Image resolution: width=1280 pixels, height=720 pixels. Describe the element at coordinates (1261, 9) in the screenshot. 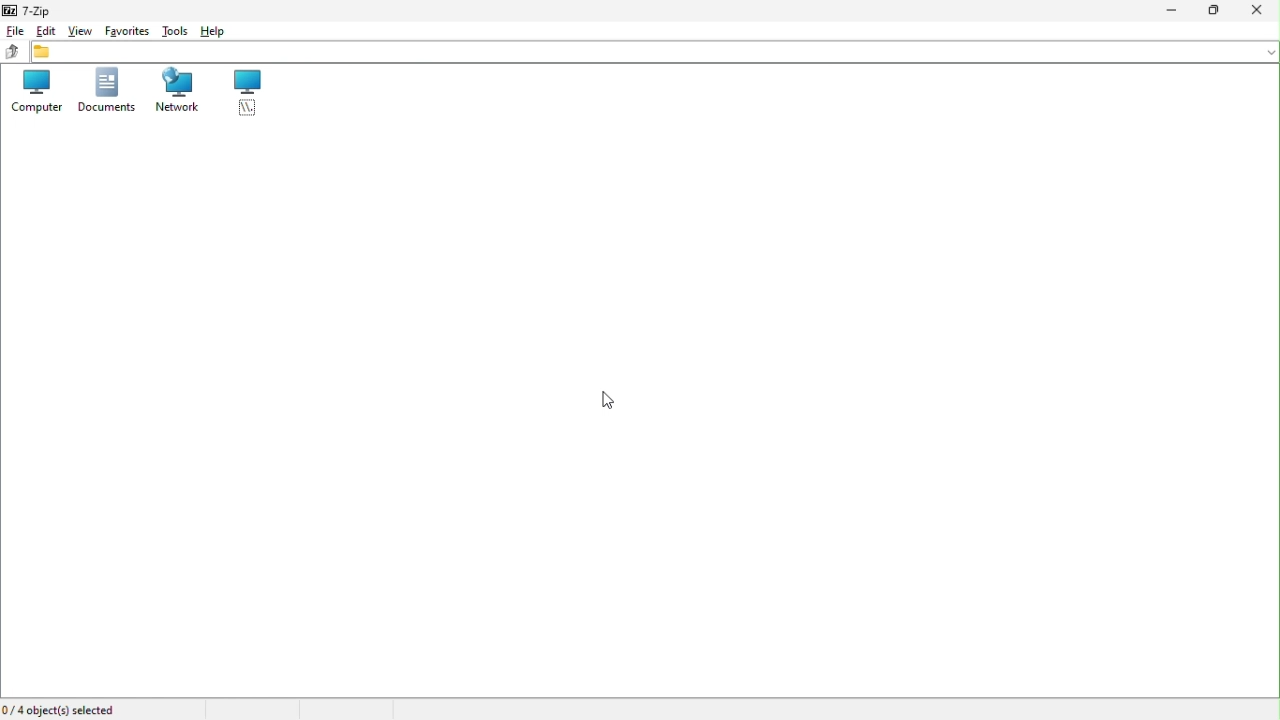

I see `Close` at that location.